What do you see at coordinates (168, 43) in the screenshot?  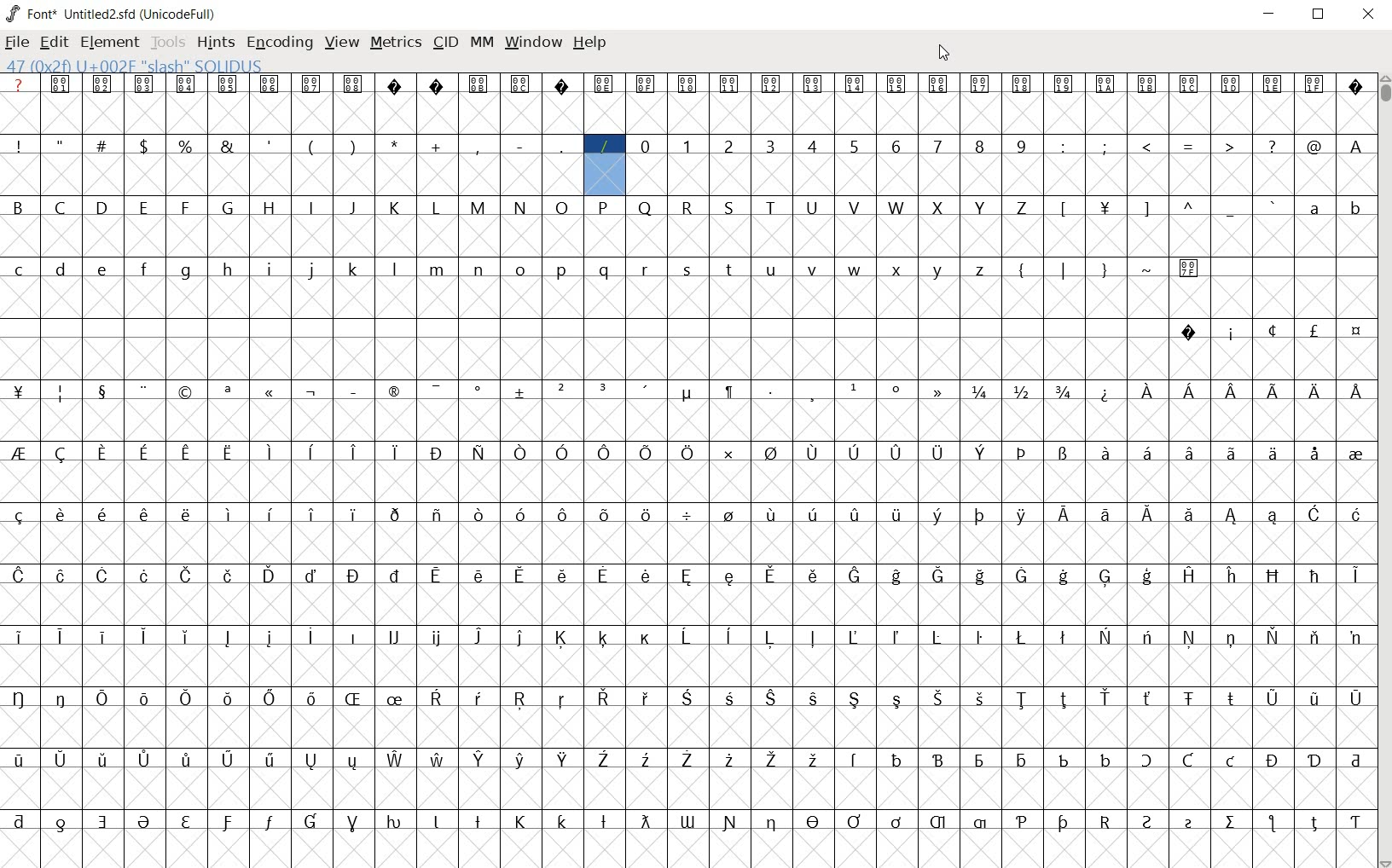 I see `TOOLS` at bounding box center [168, 43].